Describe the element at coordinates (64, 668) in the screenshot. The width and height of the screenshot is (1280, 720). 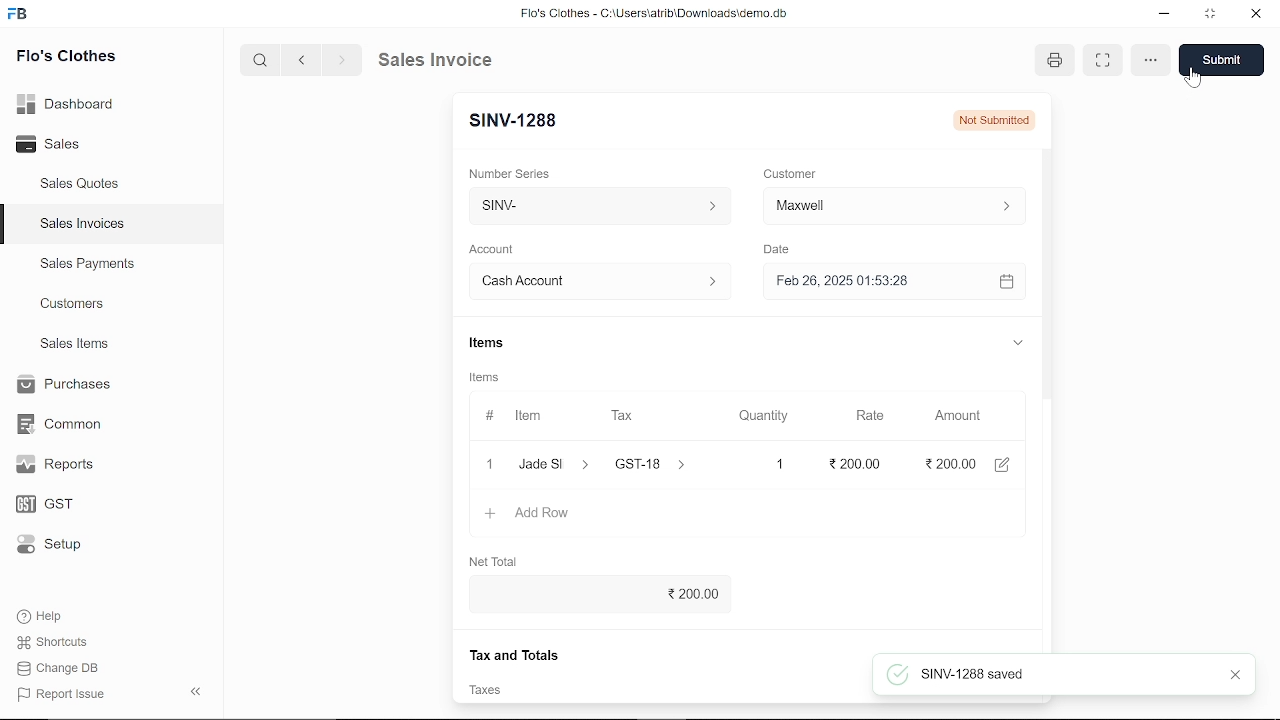
I see `Change DB` at that location.